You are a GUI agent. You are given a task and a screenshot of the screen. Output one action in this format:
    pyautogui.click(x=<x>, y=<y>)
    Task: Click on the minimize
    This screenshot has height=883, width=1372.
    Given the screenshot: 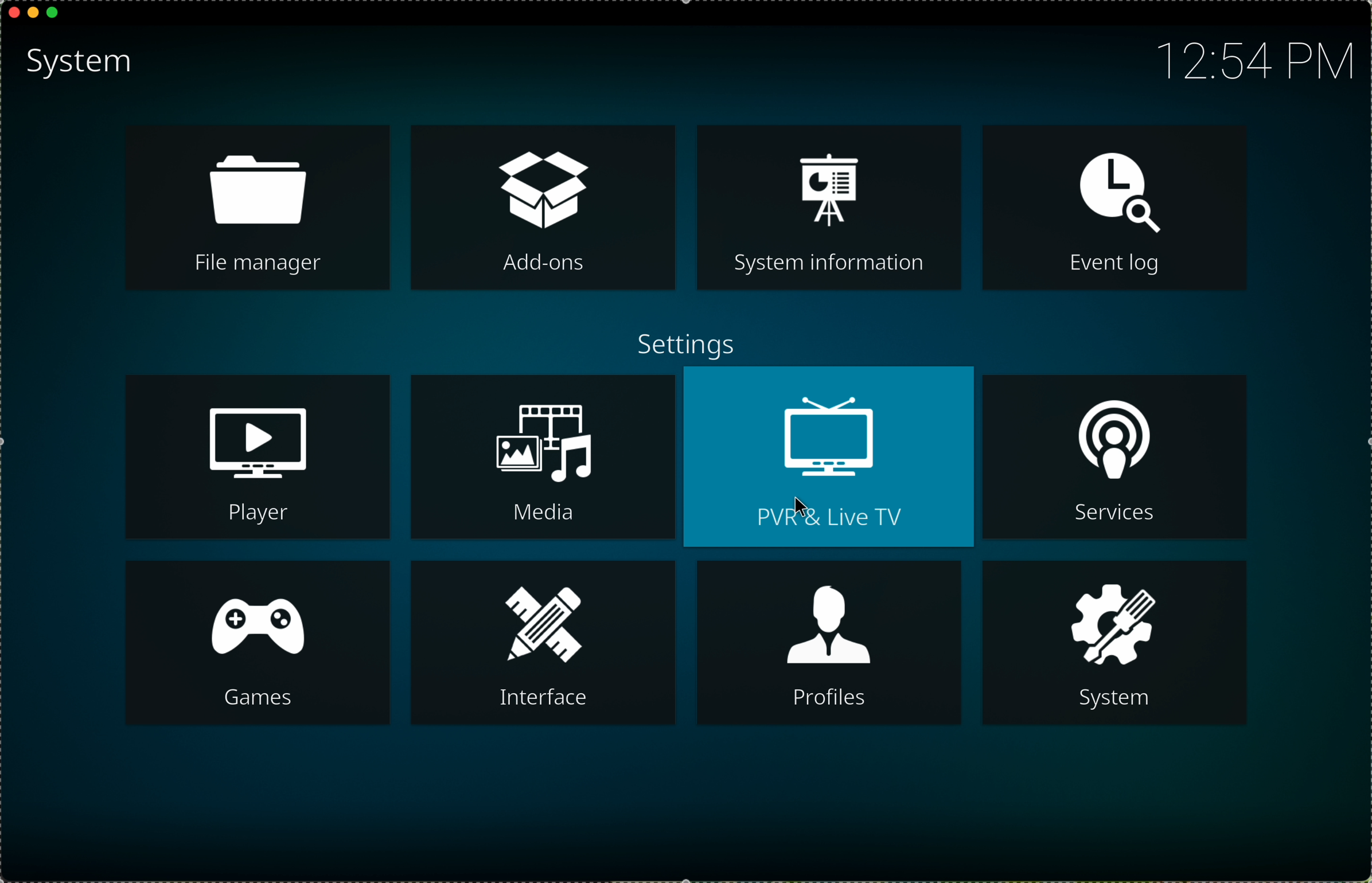 What is the action you would take?
    pyautogui.click(x=33, y=17)
    